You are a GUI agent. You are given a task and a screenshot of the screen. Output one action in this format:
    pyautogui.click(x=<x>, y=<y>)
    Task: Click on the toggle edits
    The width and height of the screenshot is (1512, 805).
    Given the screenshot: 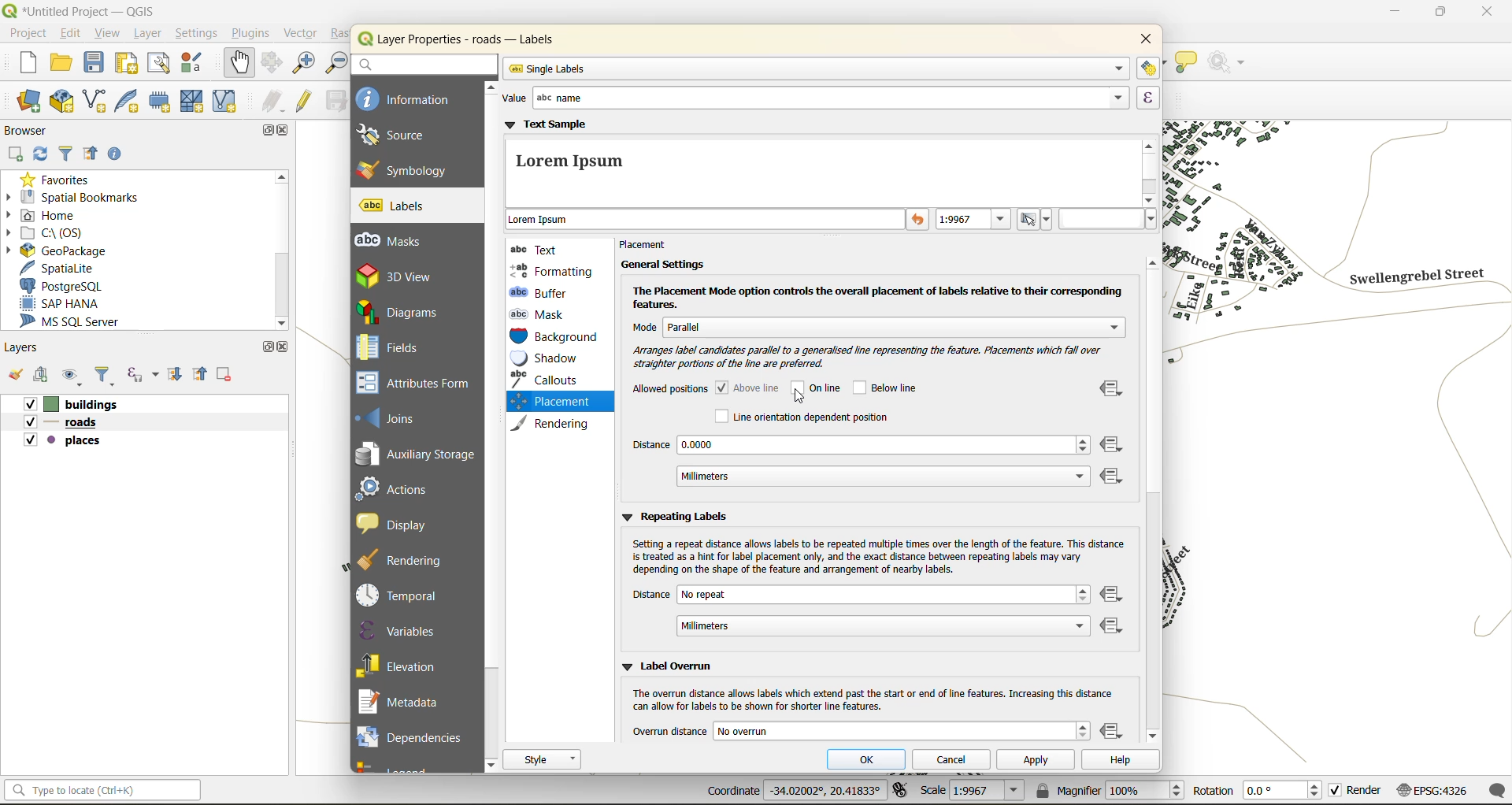 What is the action you would take?
    pyautogui.click(x=307, y=102)
    